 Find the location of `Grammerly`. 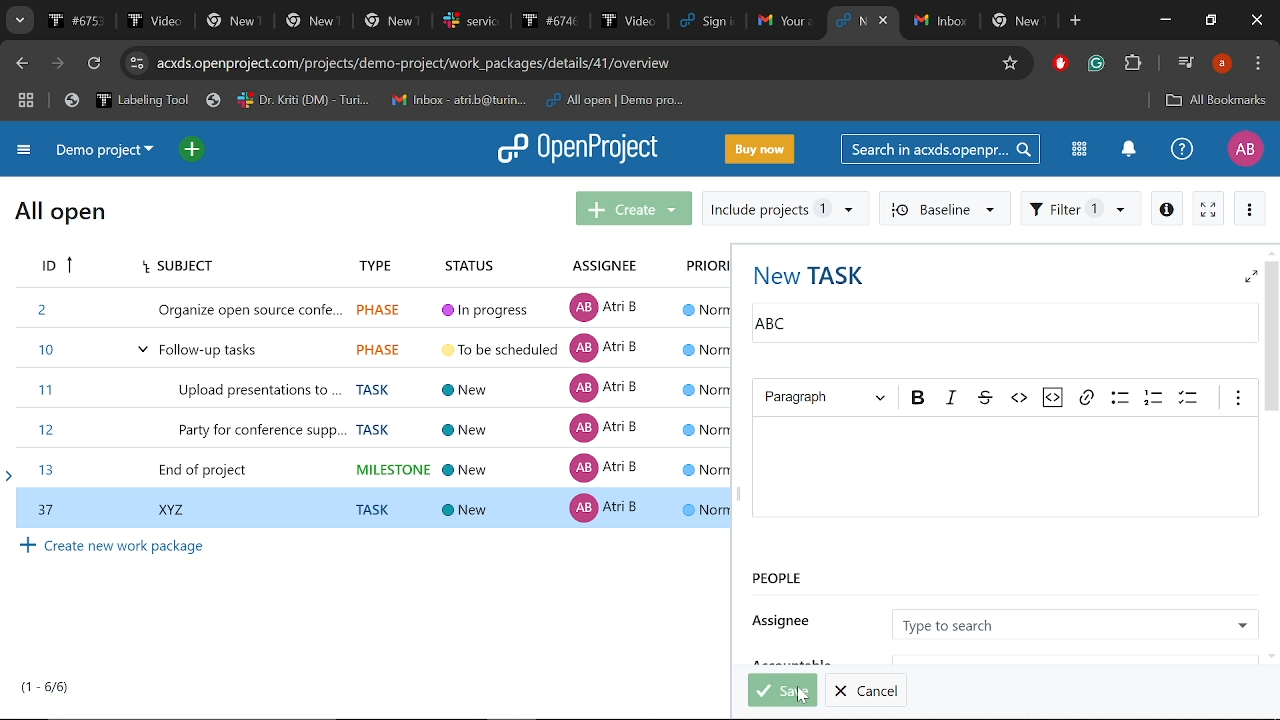

Grammerly is located at coordinates (1098, 64).